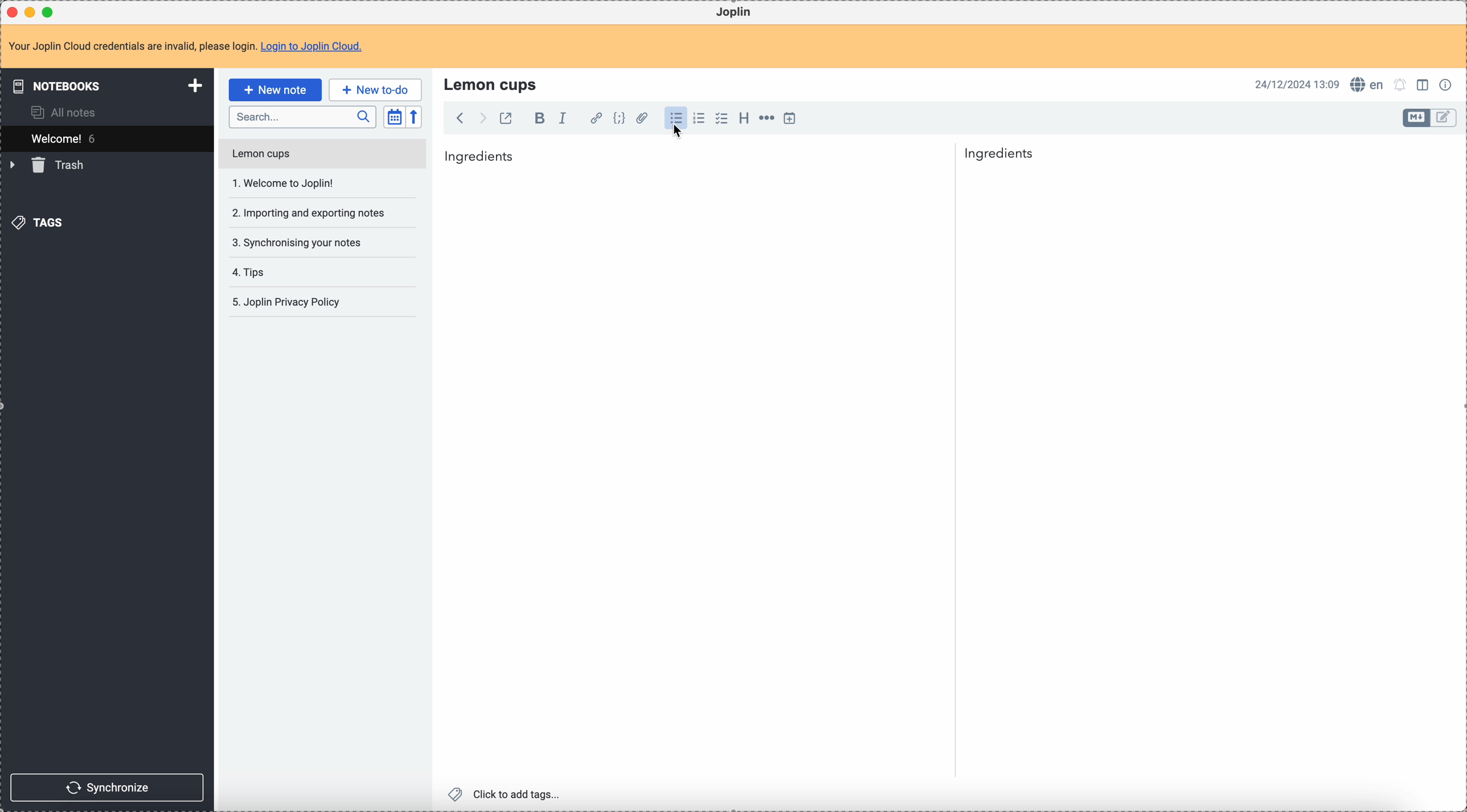 The image size is (1467, 812). What do you see at coordinates (679, 136) in the screenshot?
I see `cursor` at bounding box center [679, 136].